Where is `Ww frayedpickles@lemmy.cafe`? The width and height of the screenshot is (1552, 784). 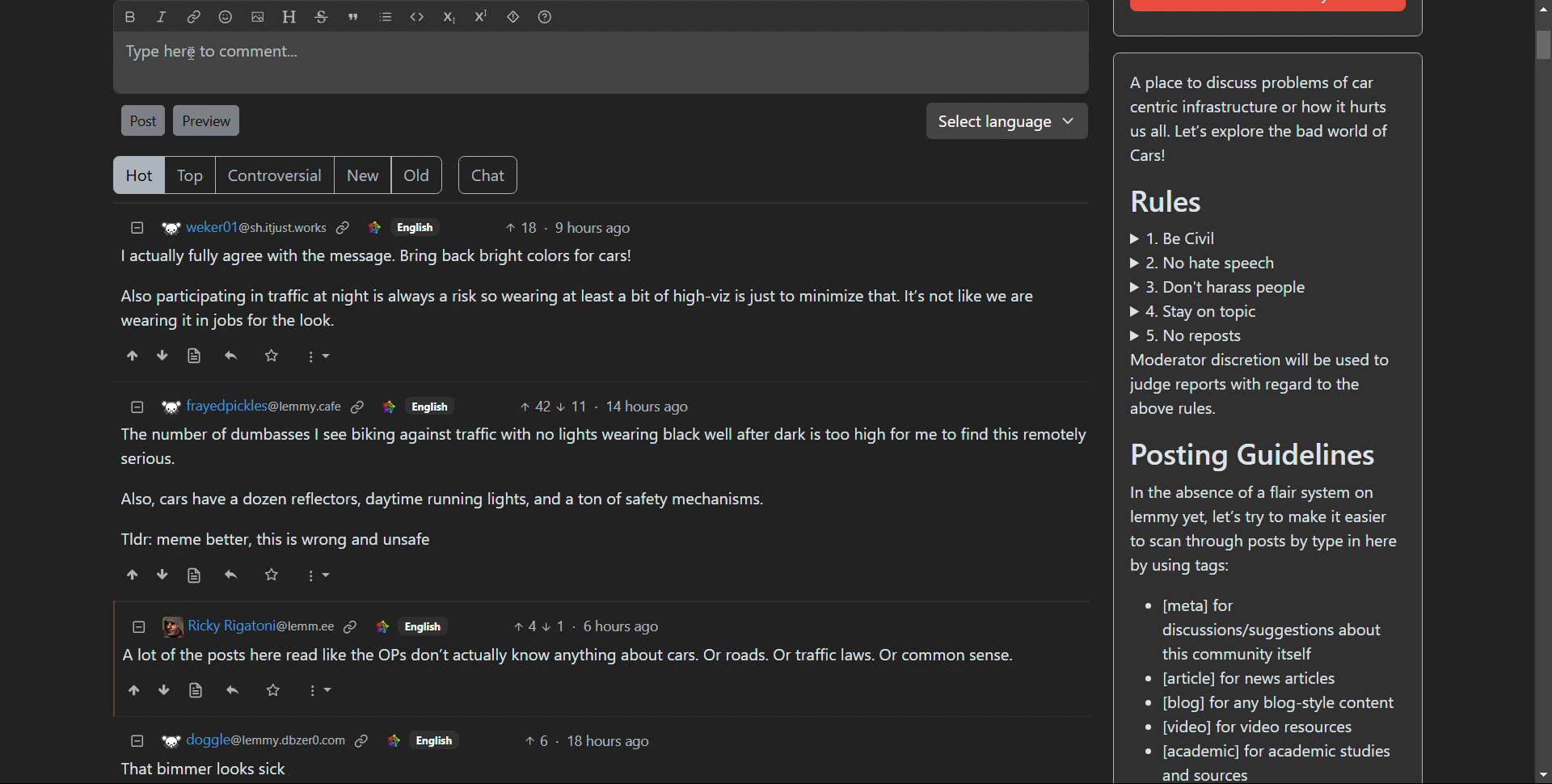 Ww frayedpickles@lemmy.cafe is located at coordinates (249, 406).